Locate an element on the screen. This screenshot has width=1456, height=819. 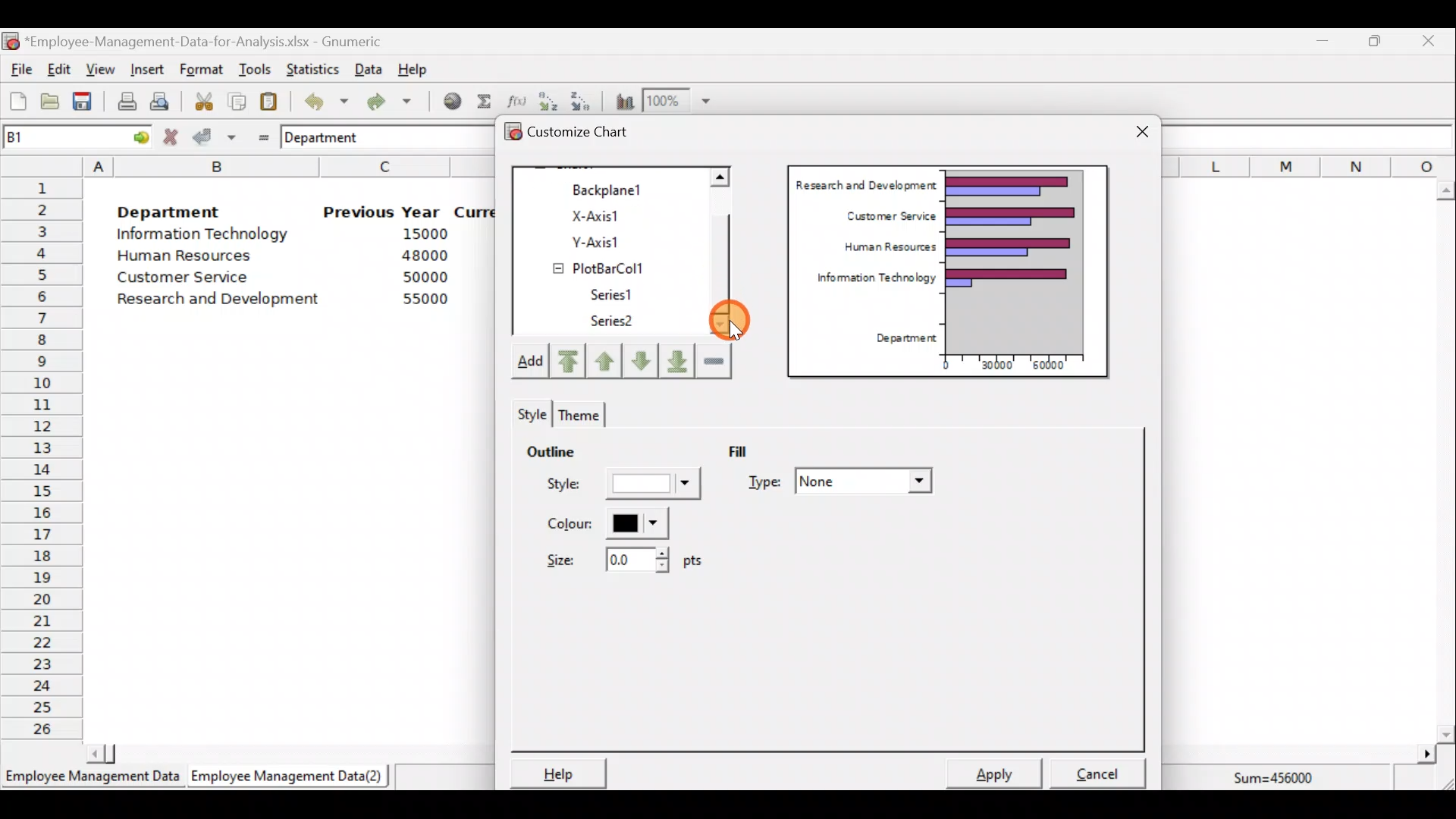
Edit a function in the current cell is located at coordinates (516, 100).